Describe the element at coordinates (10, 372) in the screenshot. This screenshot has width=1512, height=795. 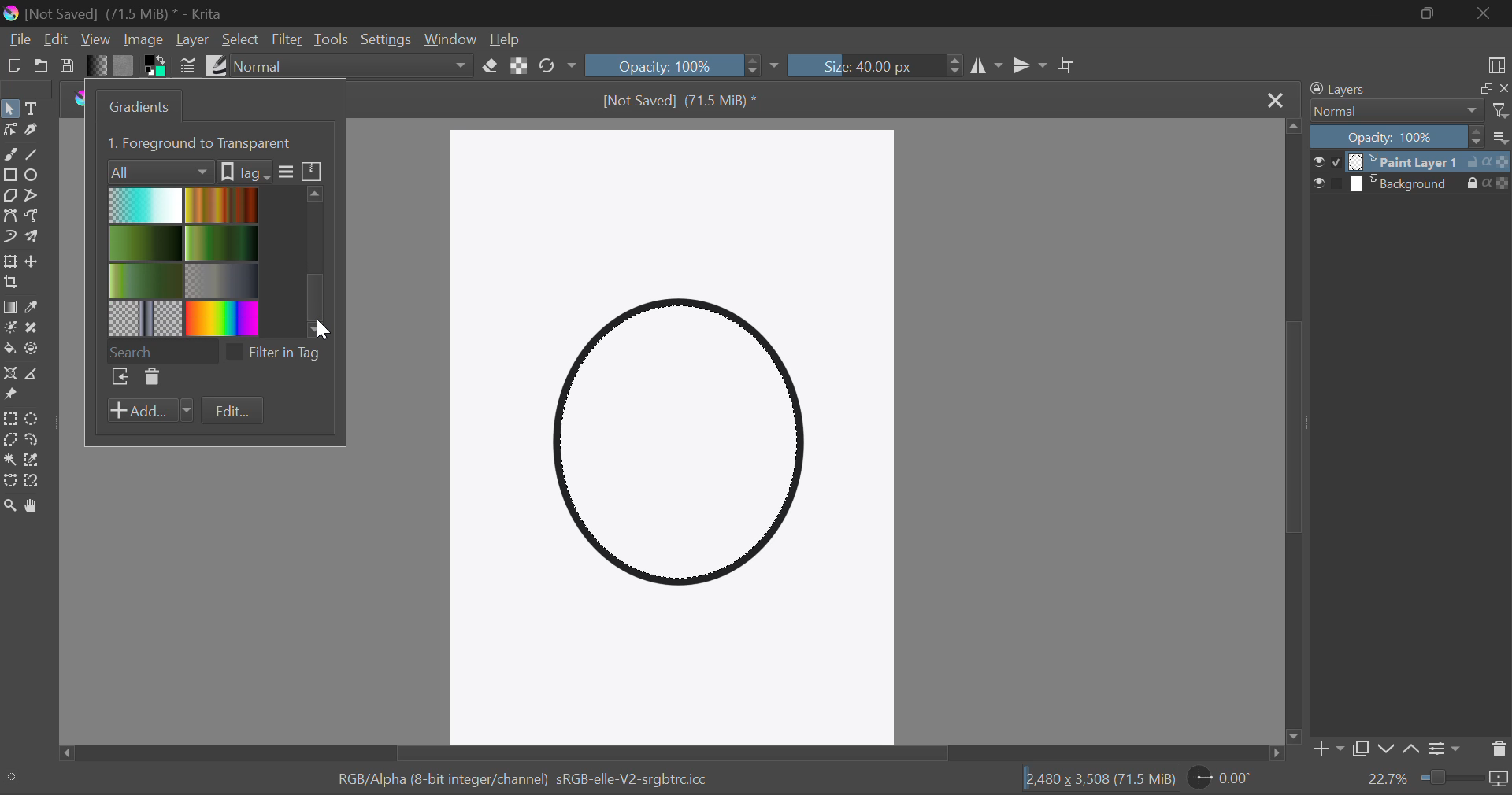
I see `Assistant Tool` at that location.